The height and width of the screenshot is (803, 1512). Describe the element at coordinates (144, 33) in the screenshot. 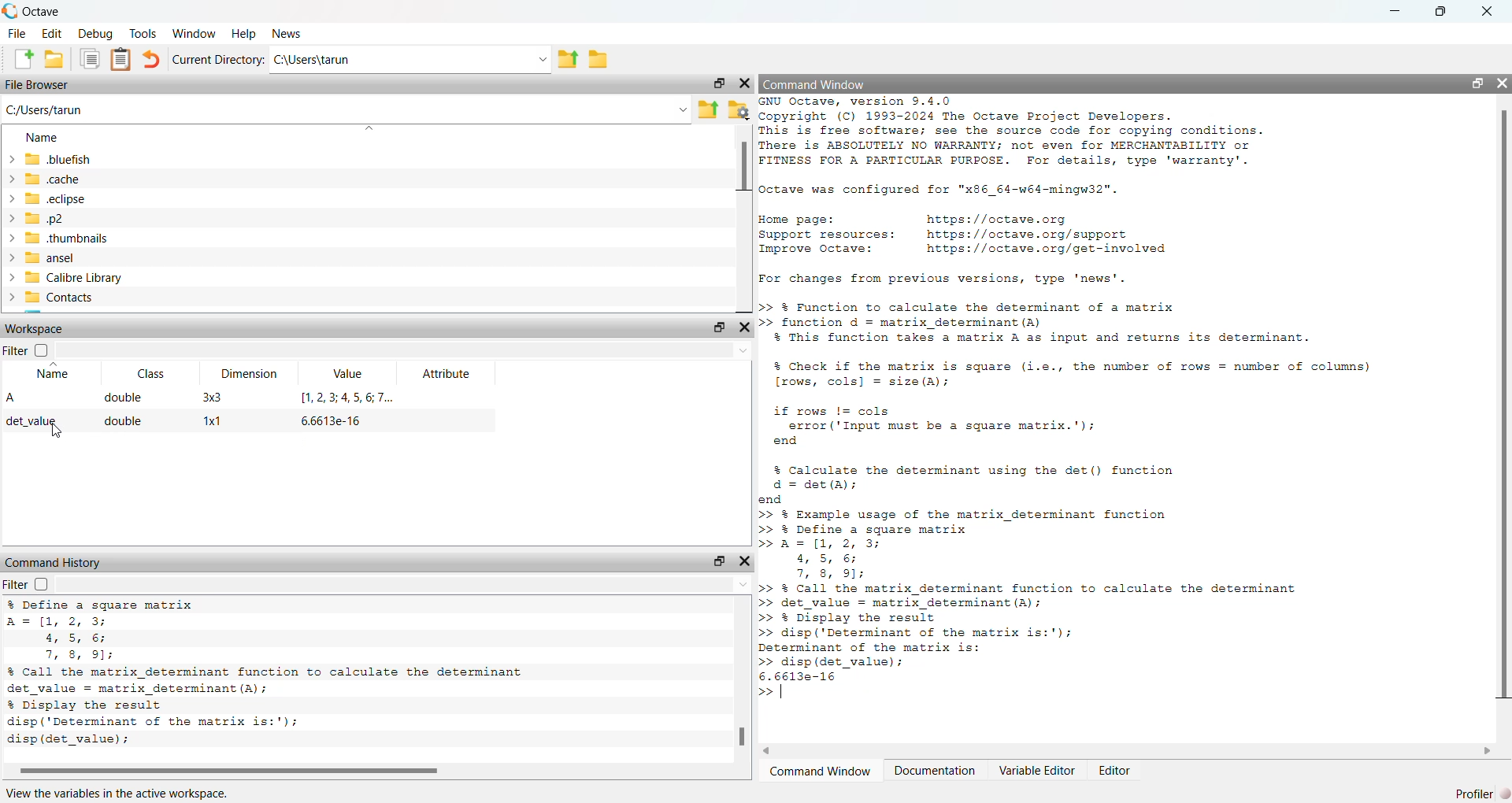

I see `Tools` at that location.